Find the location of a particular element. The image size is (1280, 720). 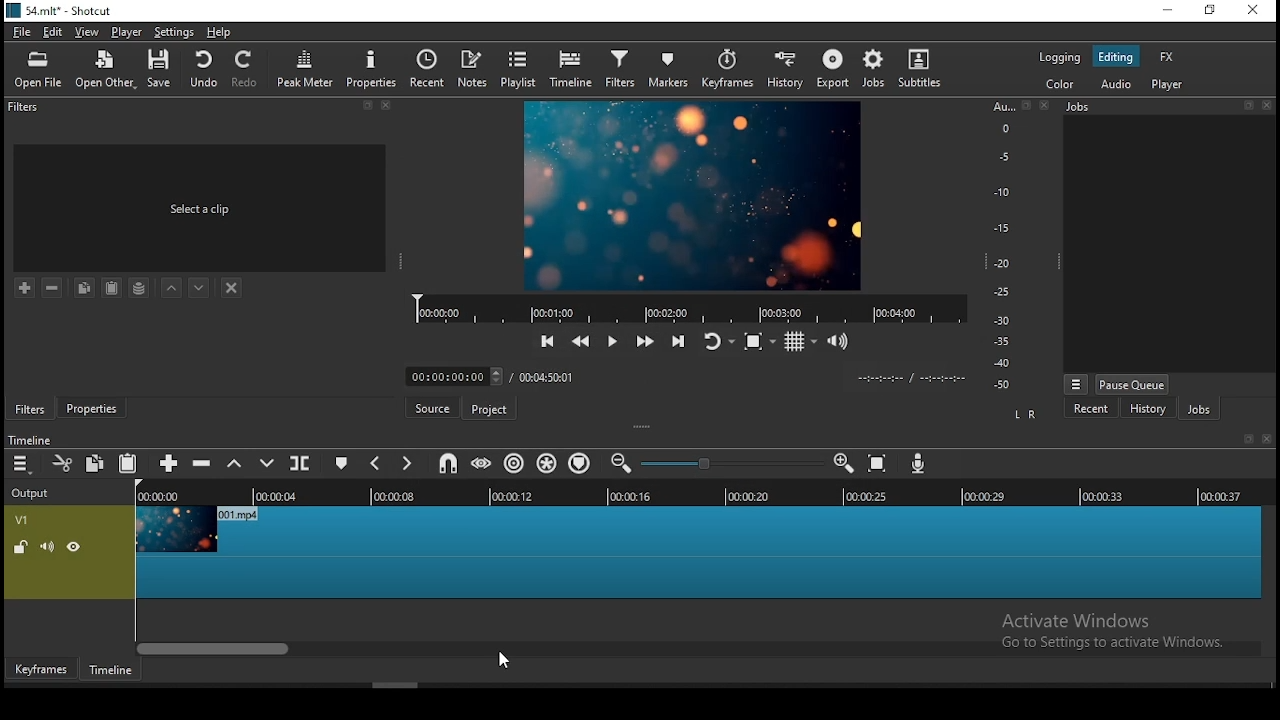

zoom timeline in is located at coordinates (623, 464).